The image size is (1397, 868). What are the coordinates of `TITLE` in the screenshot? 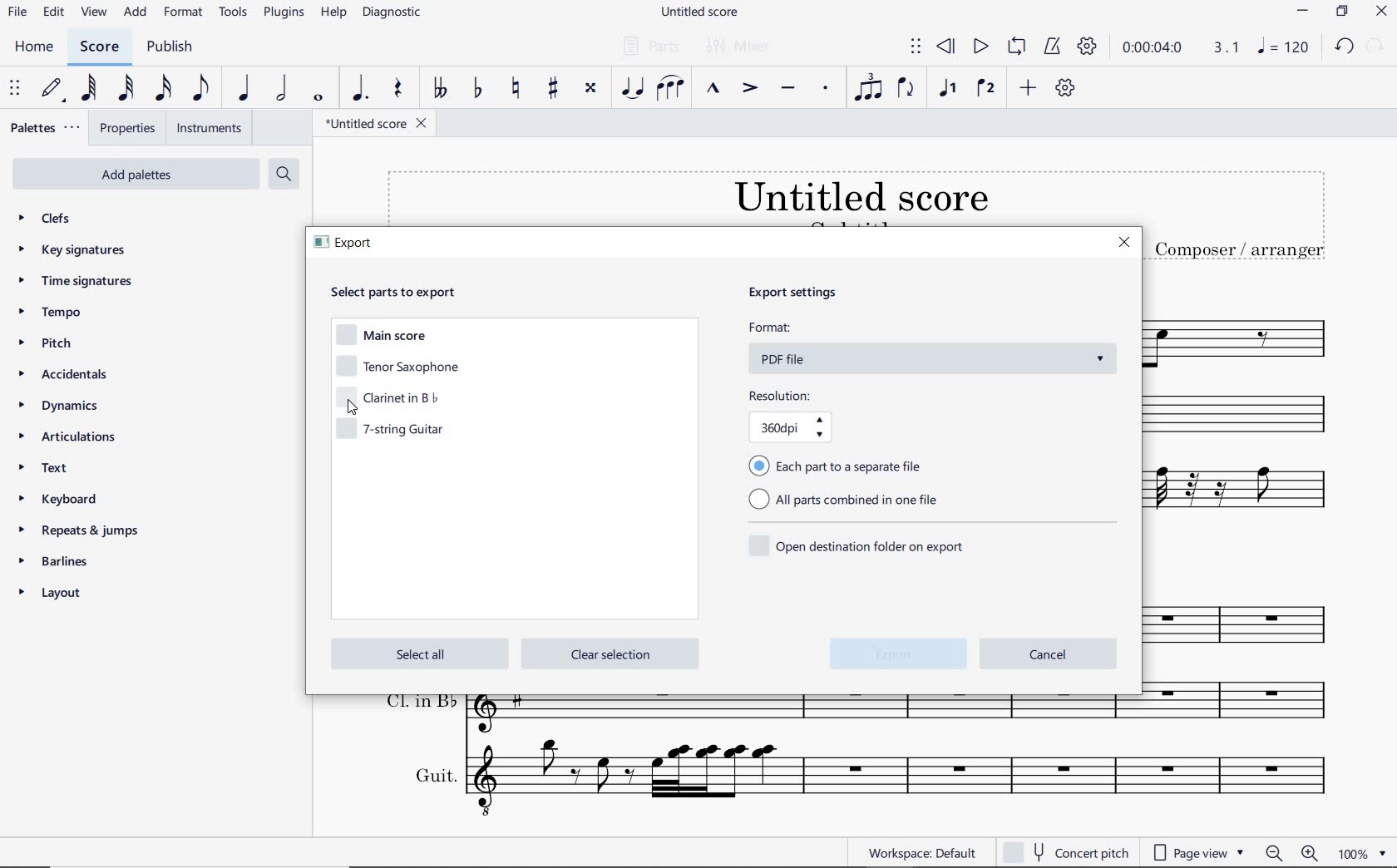 It's located at (758, 195).